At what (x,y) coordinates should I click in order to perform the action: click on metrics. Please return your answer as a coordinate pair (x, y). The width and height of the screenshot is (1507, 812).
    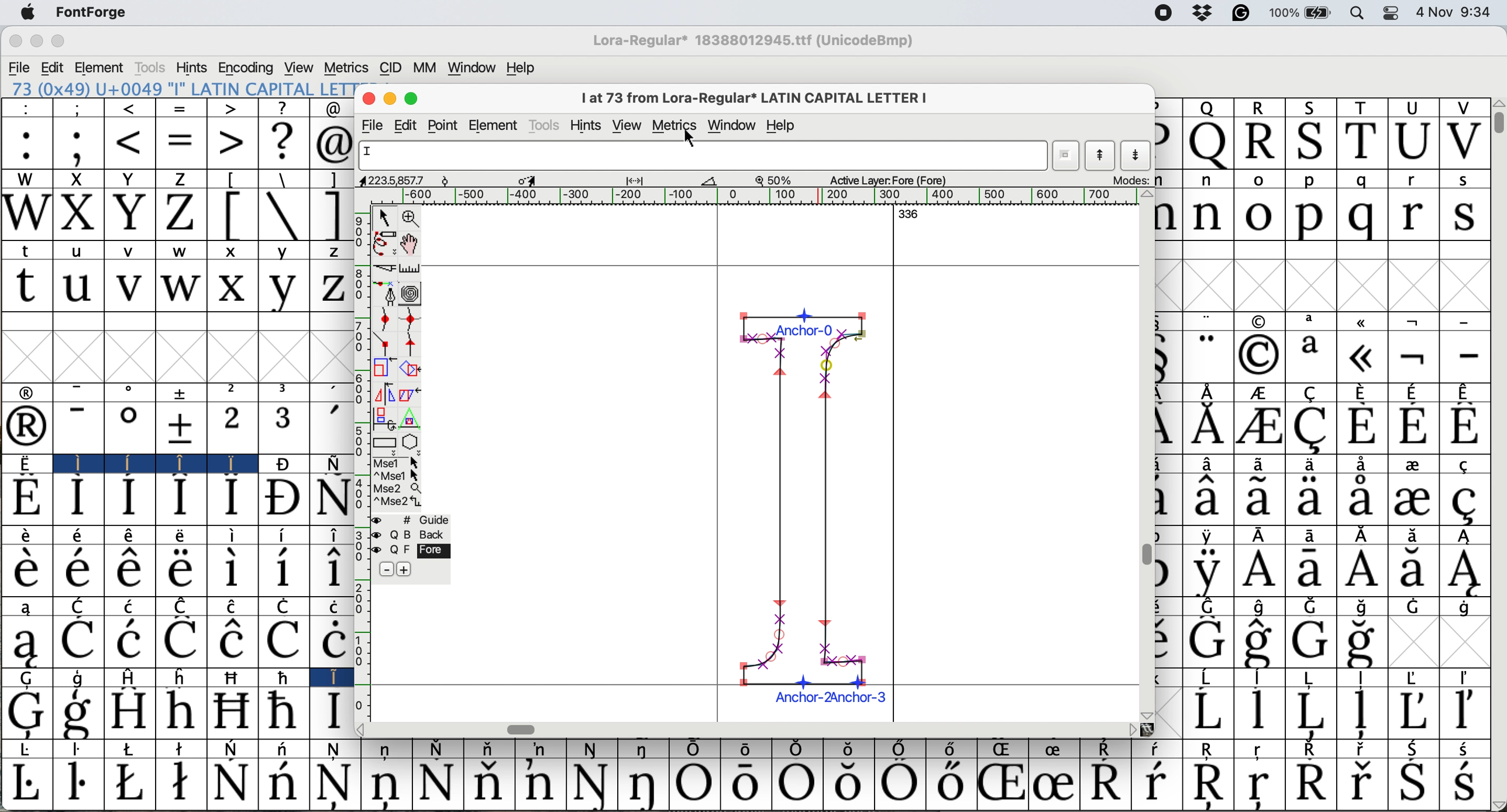
    Looking at the image, I should click on (345, 68).